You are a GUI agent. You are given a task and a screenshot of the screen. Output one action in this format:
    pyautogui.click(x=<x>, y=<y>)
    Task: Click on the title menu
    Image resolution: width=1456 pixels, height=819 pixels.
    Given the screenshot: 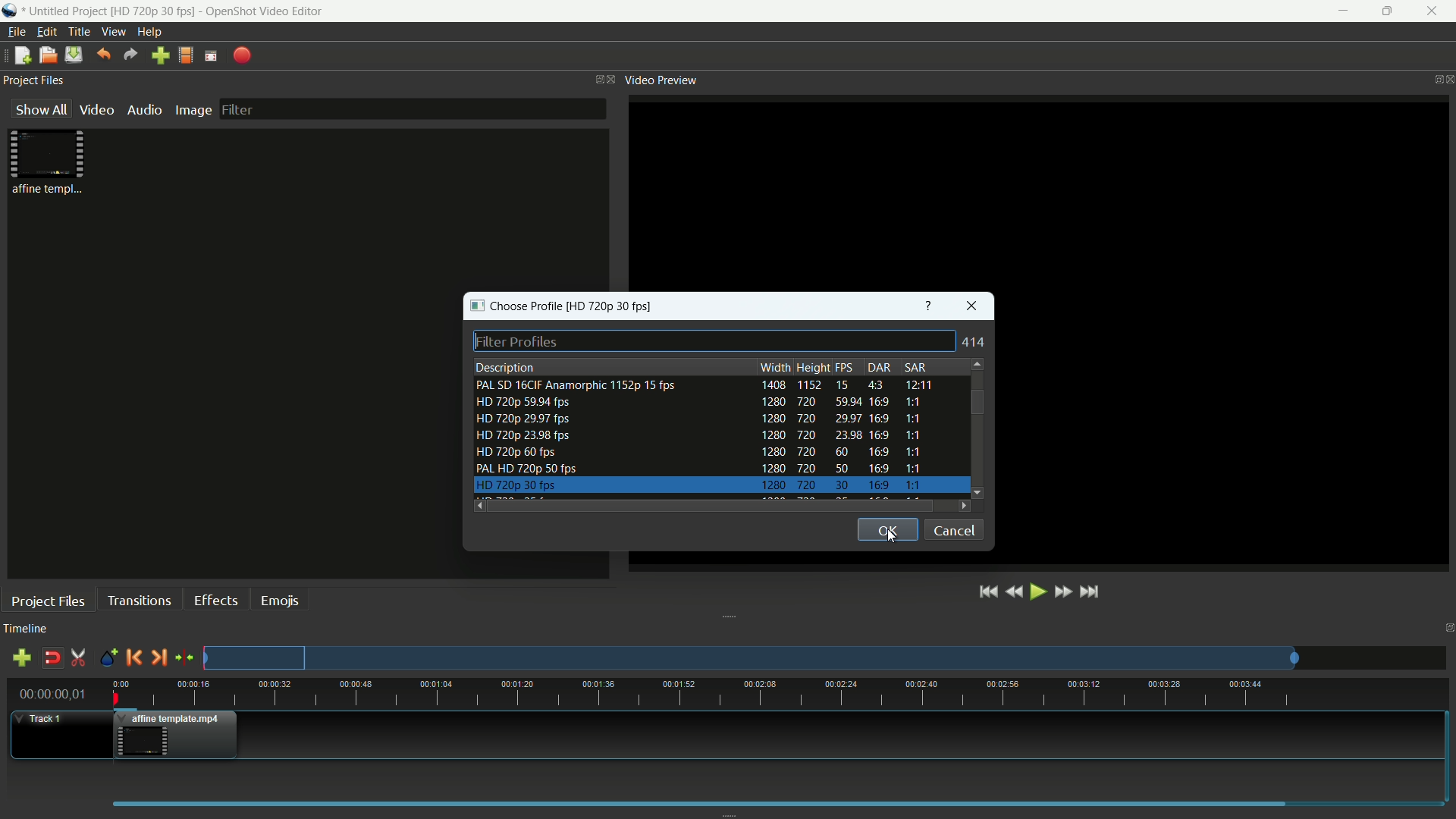 What is the action you would take?
    pyautogui.click(x=81, y=32)
    